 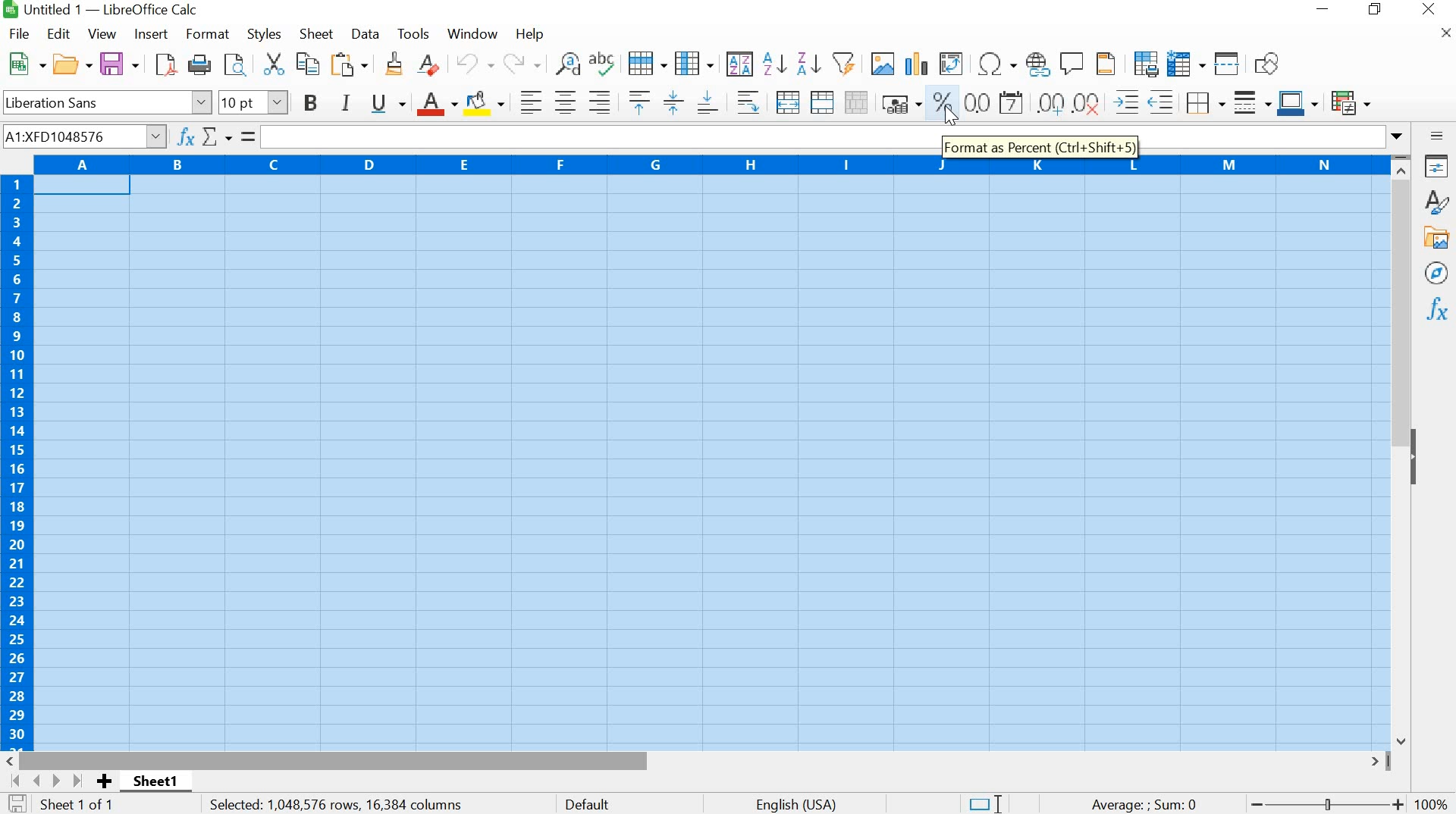 I want to click on Insert hyperlink, so click(x=1036, y=64).